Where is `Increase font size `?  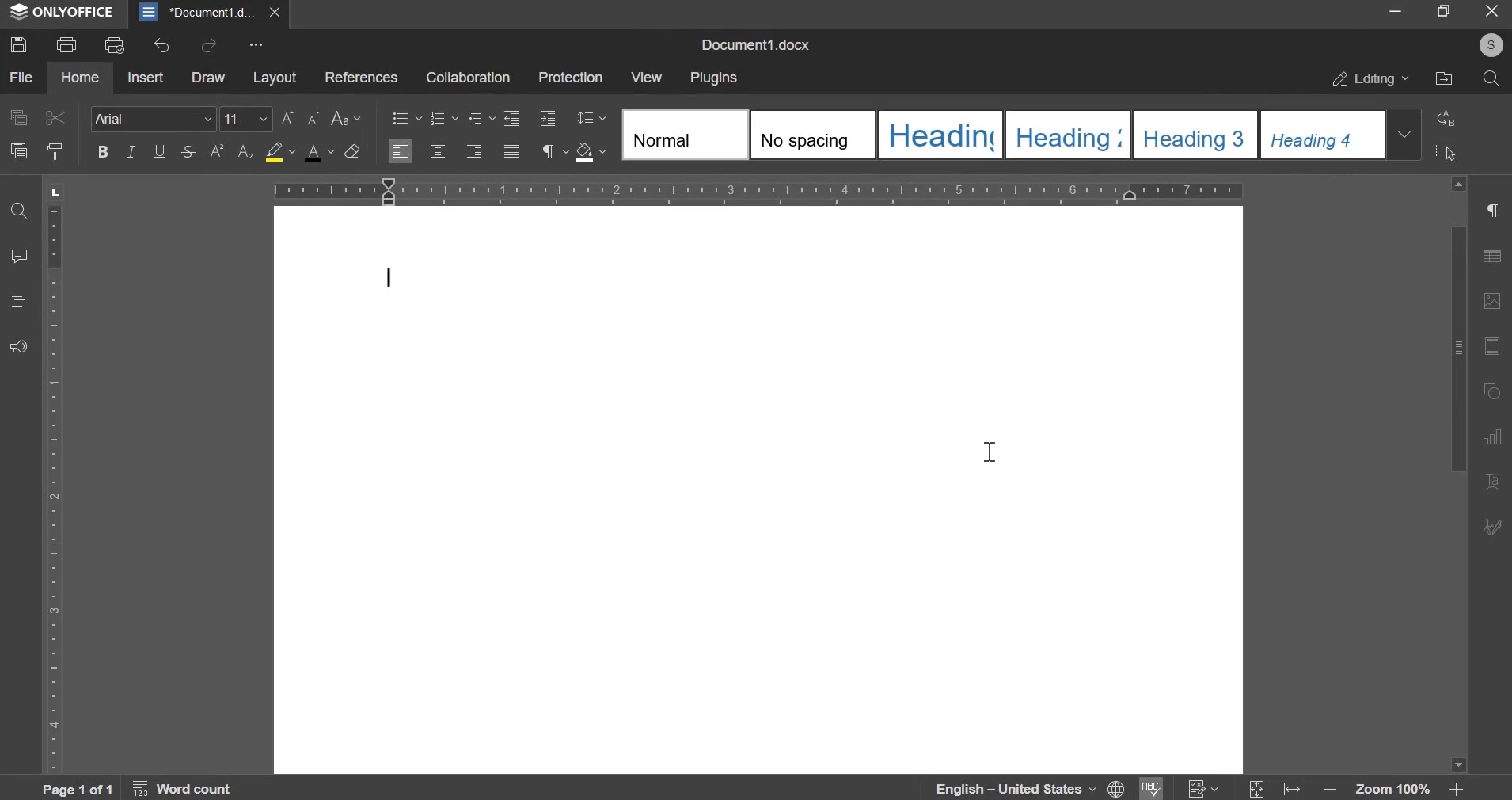 Increase font size  is located at coordinates (291, 119).